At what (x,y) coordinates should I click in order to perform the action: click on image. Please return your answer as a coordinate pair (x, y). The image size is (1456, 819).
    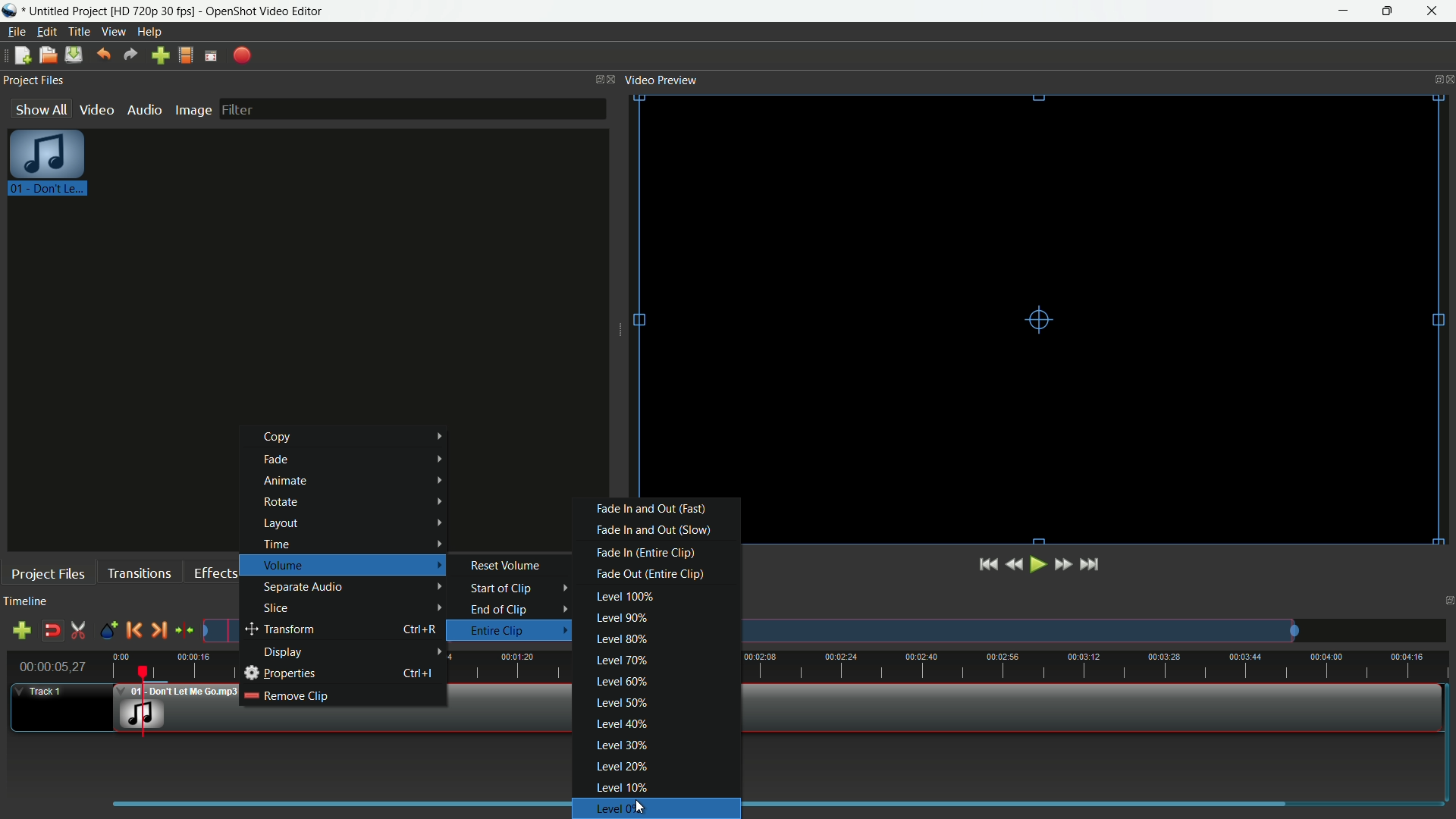
    Looking at the image, I should click on (193, 110).